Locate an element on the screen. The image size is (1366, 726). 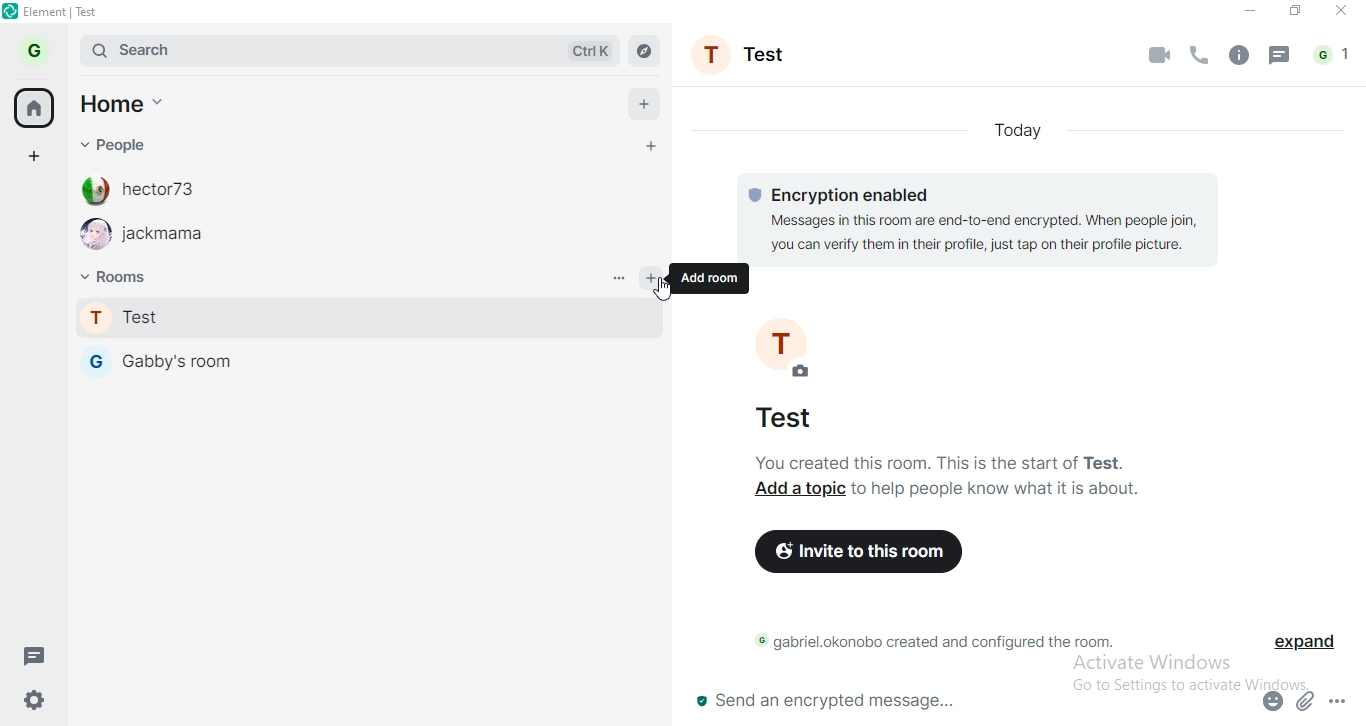
gabby's room is located at coordinates (367, 359).